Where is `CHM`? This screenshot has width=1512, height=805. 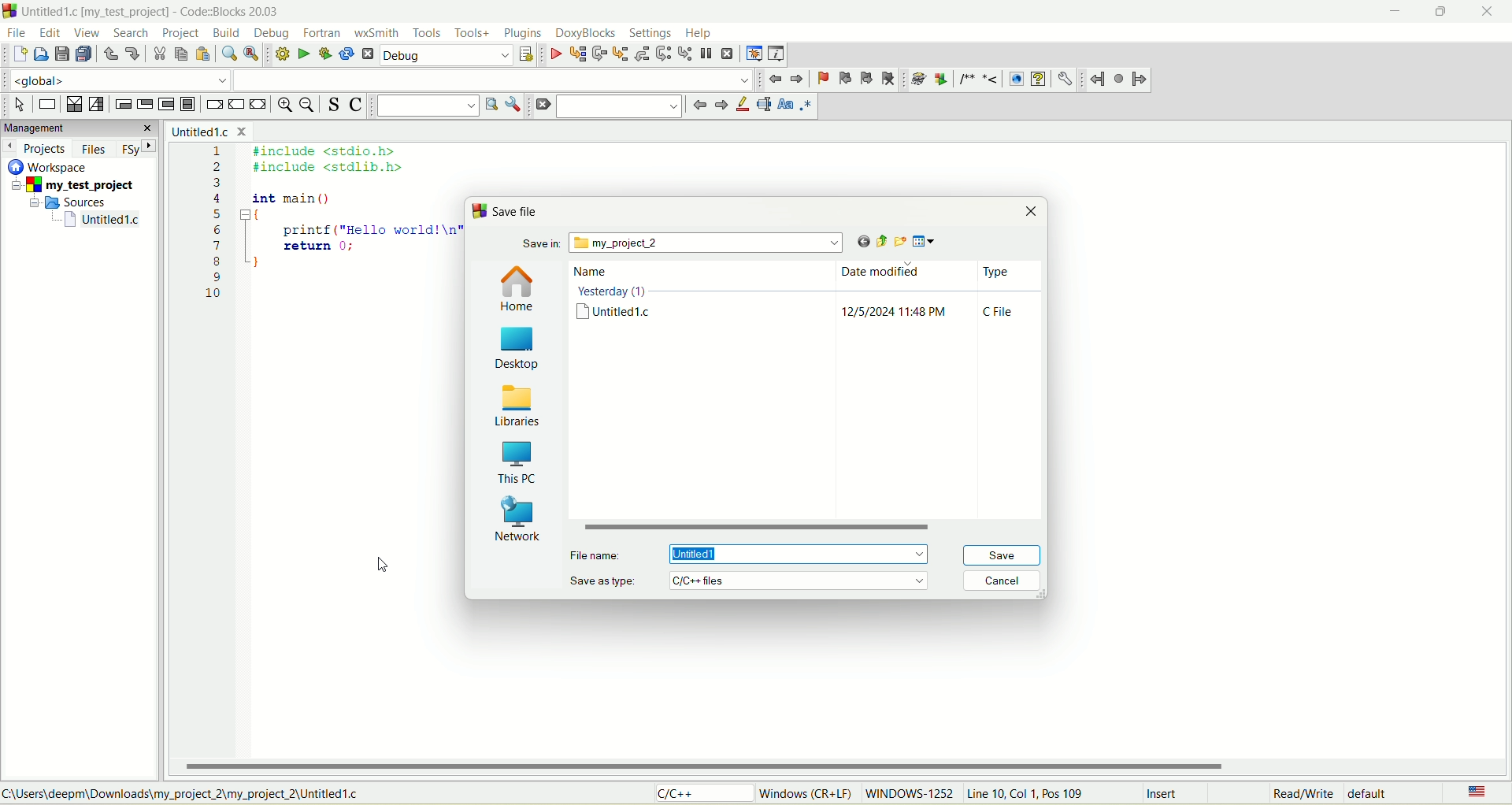 CHM is located at coordinates (1038, 80).